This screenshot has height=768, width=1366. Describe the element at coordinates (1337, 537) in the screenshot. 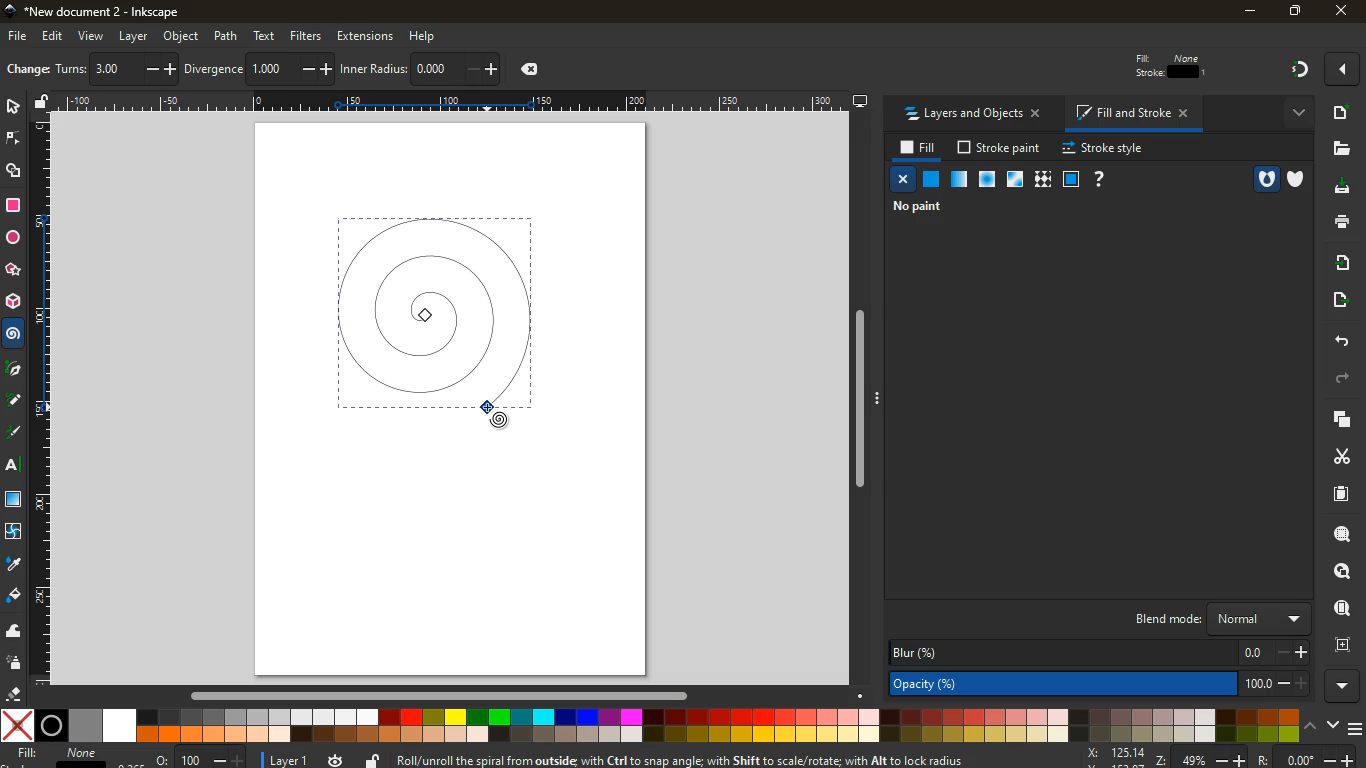

I see `search` at that location.